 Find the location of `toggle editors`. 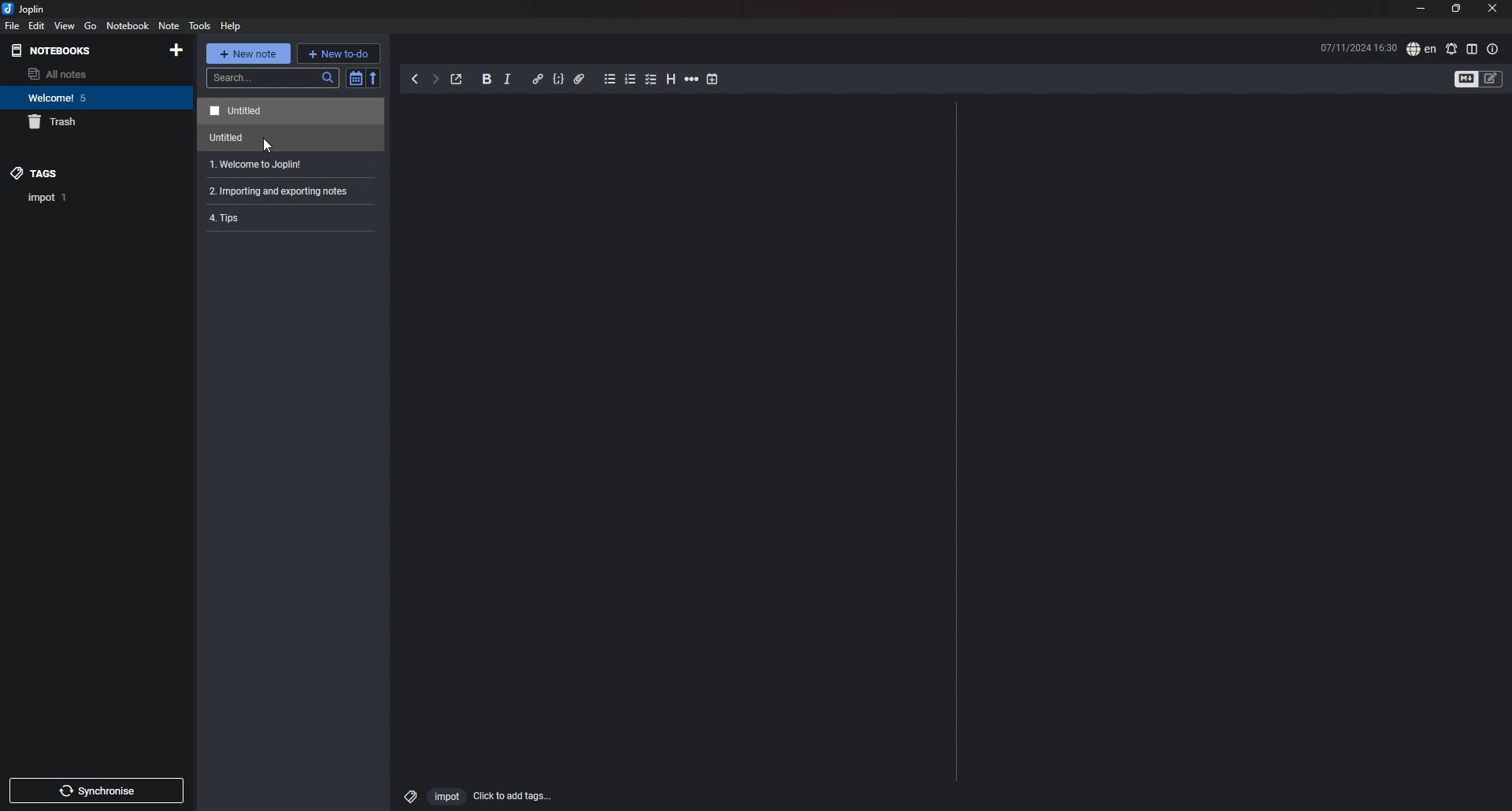

toggle editors is located at coordinates (1492, 79).